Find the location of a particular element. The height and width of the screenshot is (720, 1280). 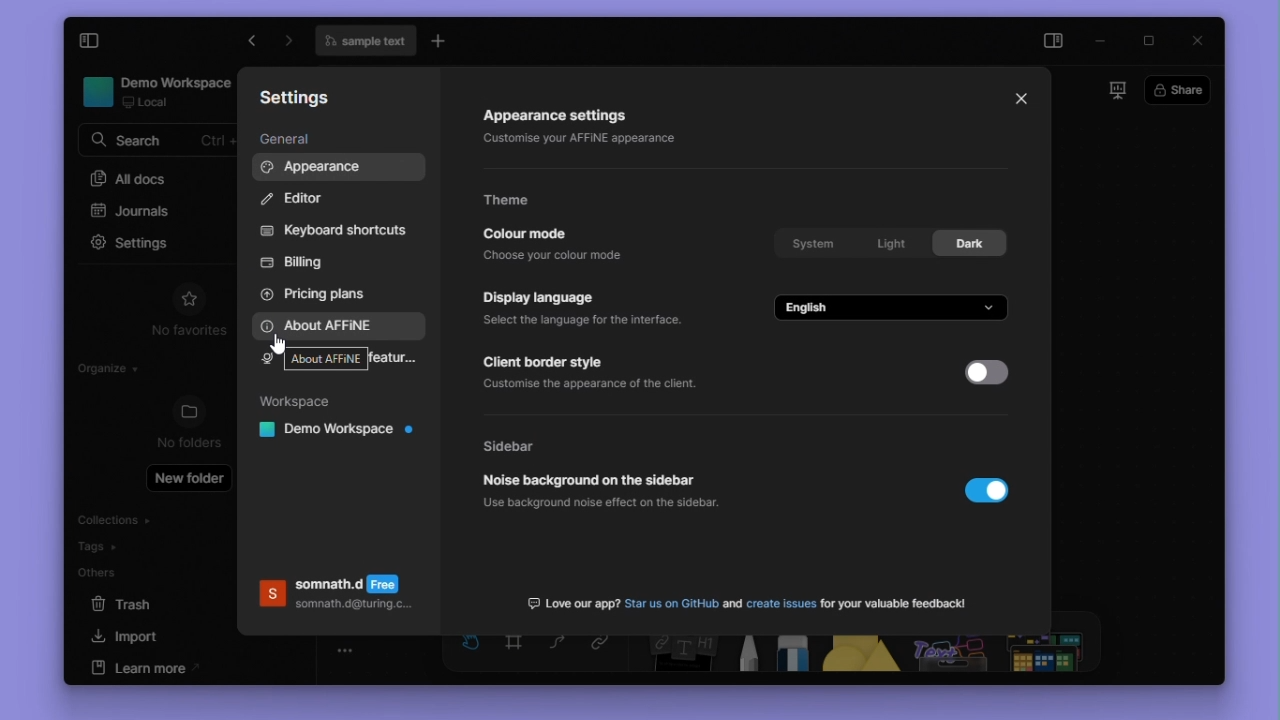

Expand sodebar is located at coordinates (89, 42).